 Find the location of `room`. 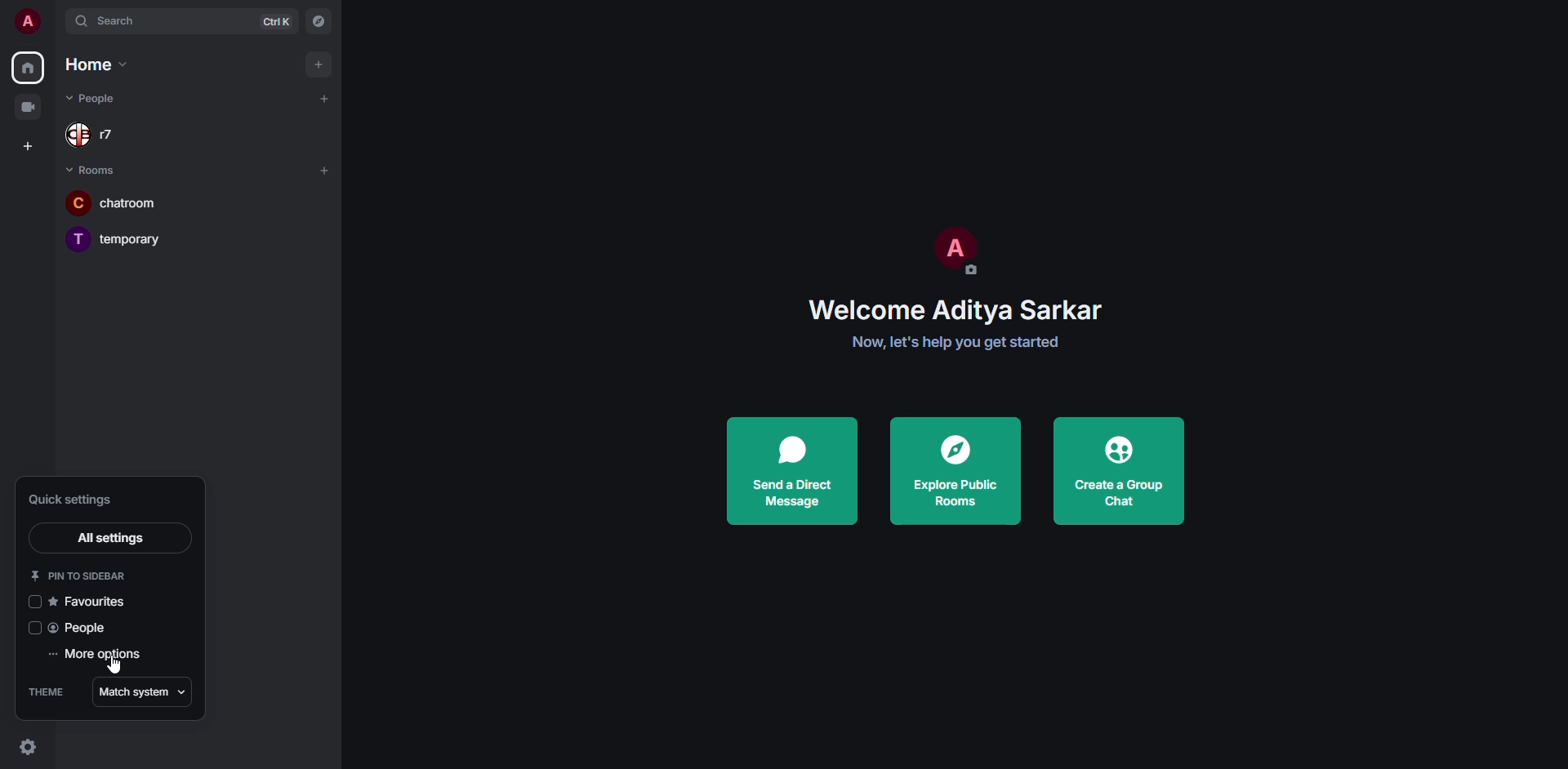

room is located at coordinates (119, 202).